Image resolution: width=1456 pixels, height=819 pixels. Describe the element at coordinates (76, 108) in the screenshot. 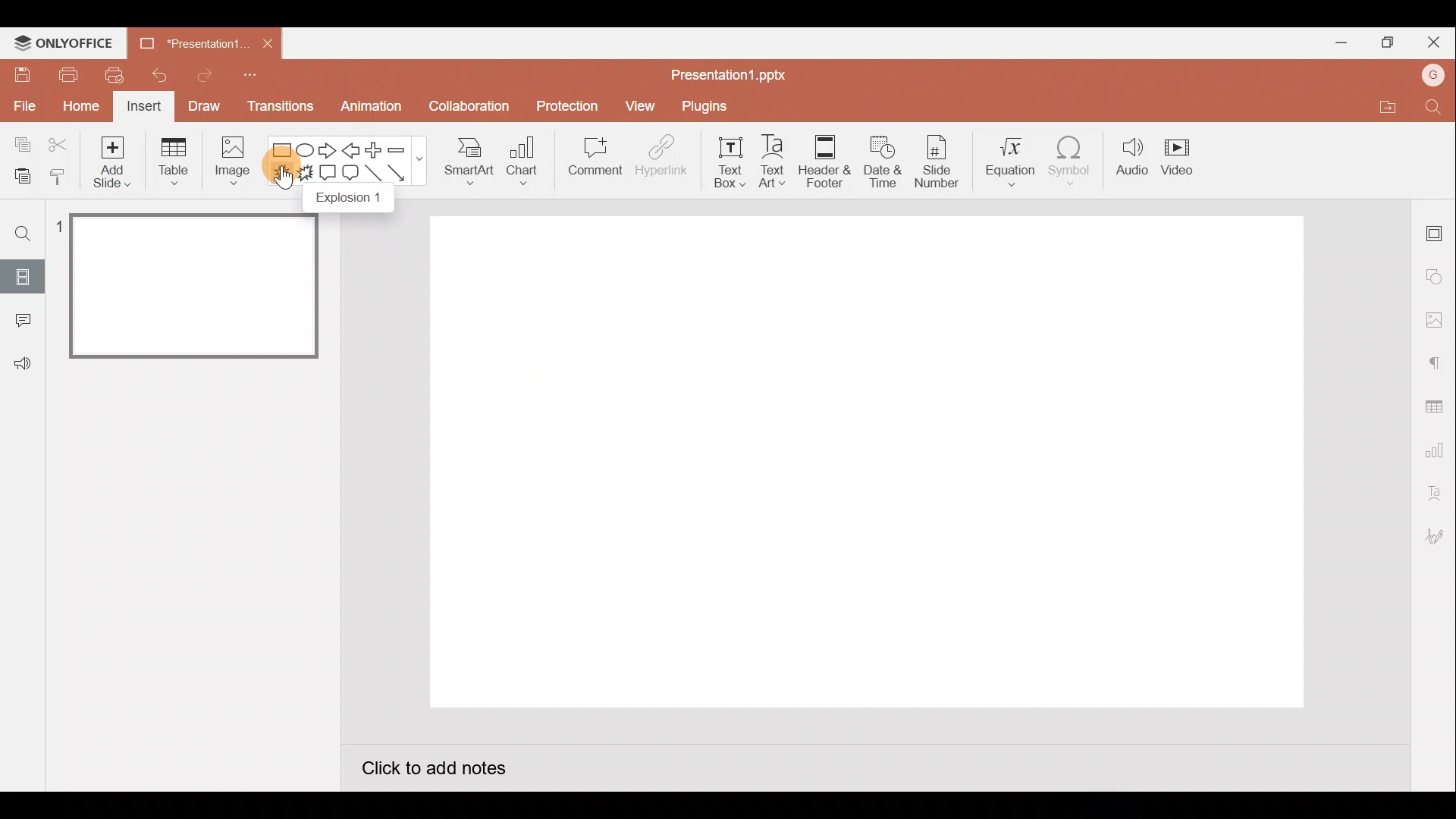

I see `Home` at that location.